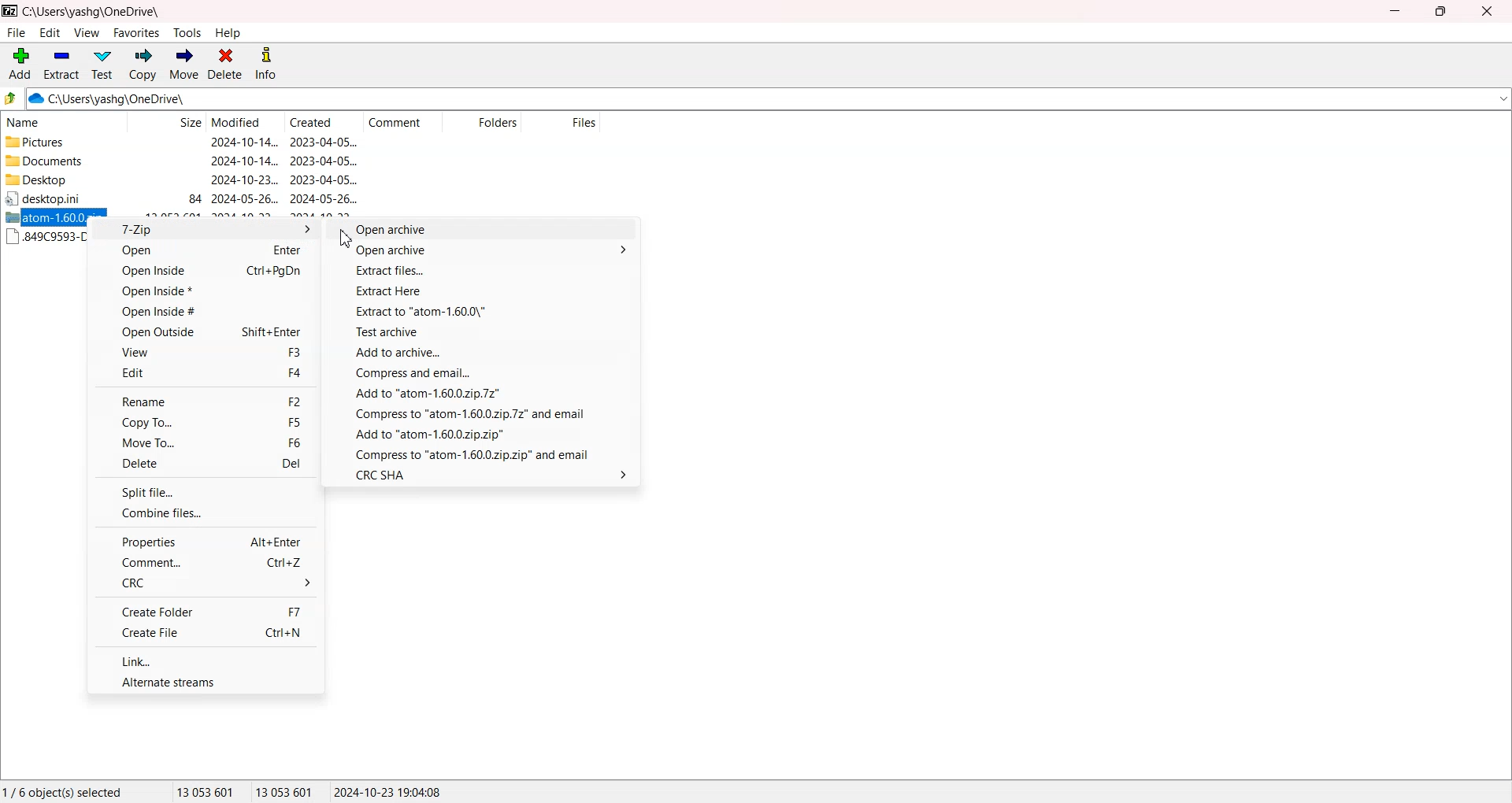 The image size is (1512, 803). I want to click on Compress and Email, so click(483, 453).